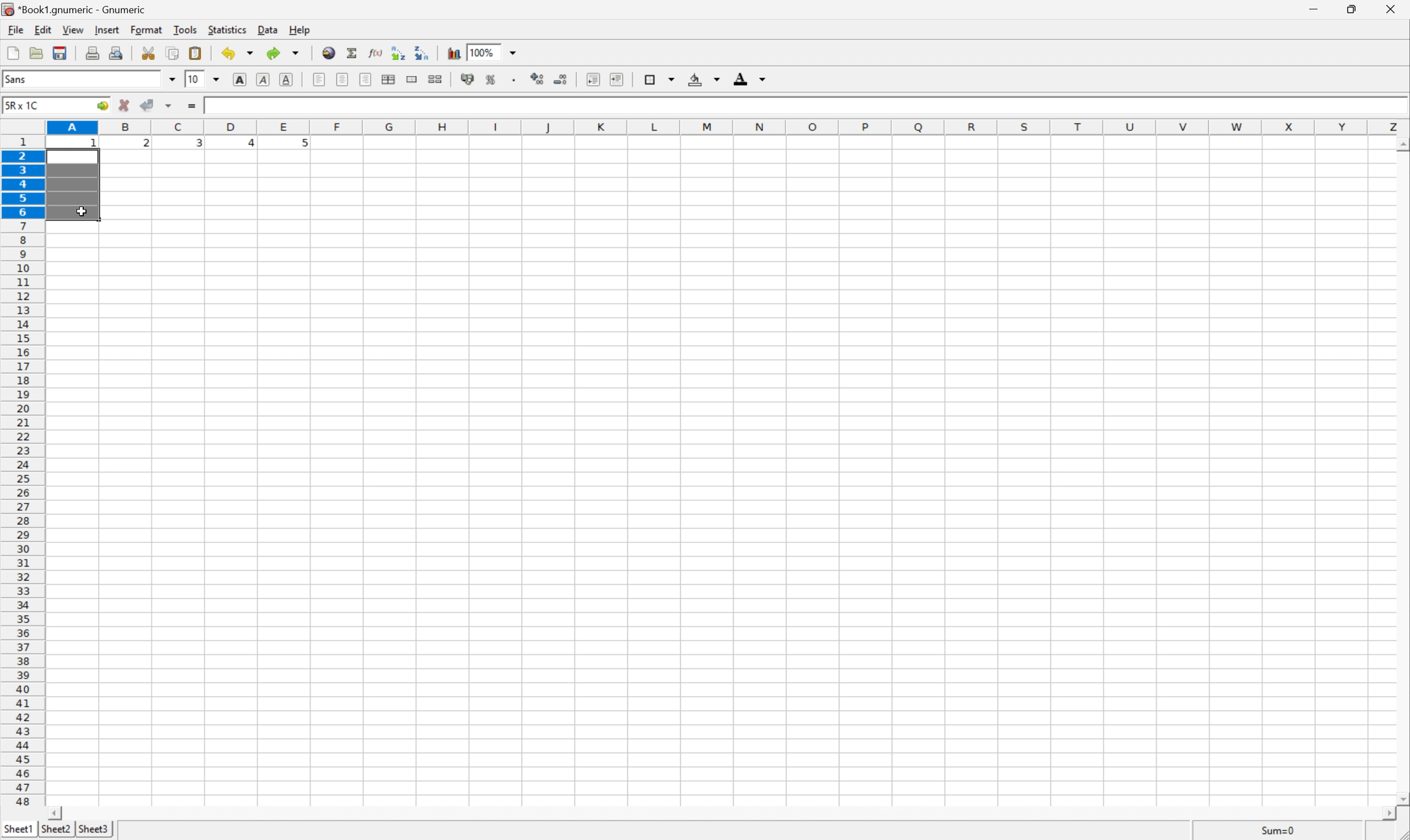 The width and height of the screenshot is (1410, 840). Describe the element at coordinates (389, 79) in the screenshot. I see `center horizontally` at that location.